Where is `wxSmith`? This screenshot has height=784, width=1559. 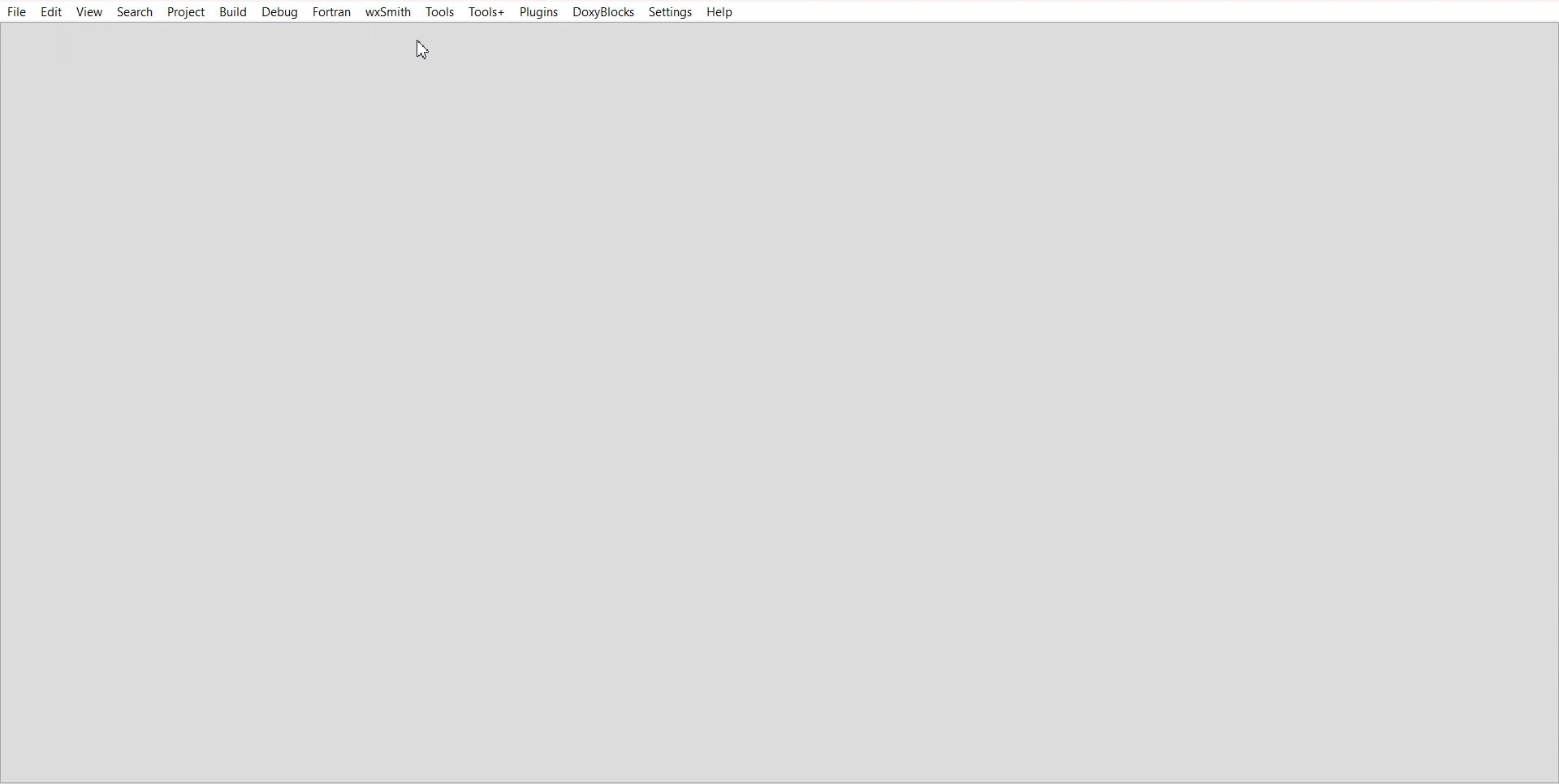 wxSmith is located at coordinates (388, 12).